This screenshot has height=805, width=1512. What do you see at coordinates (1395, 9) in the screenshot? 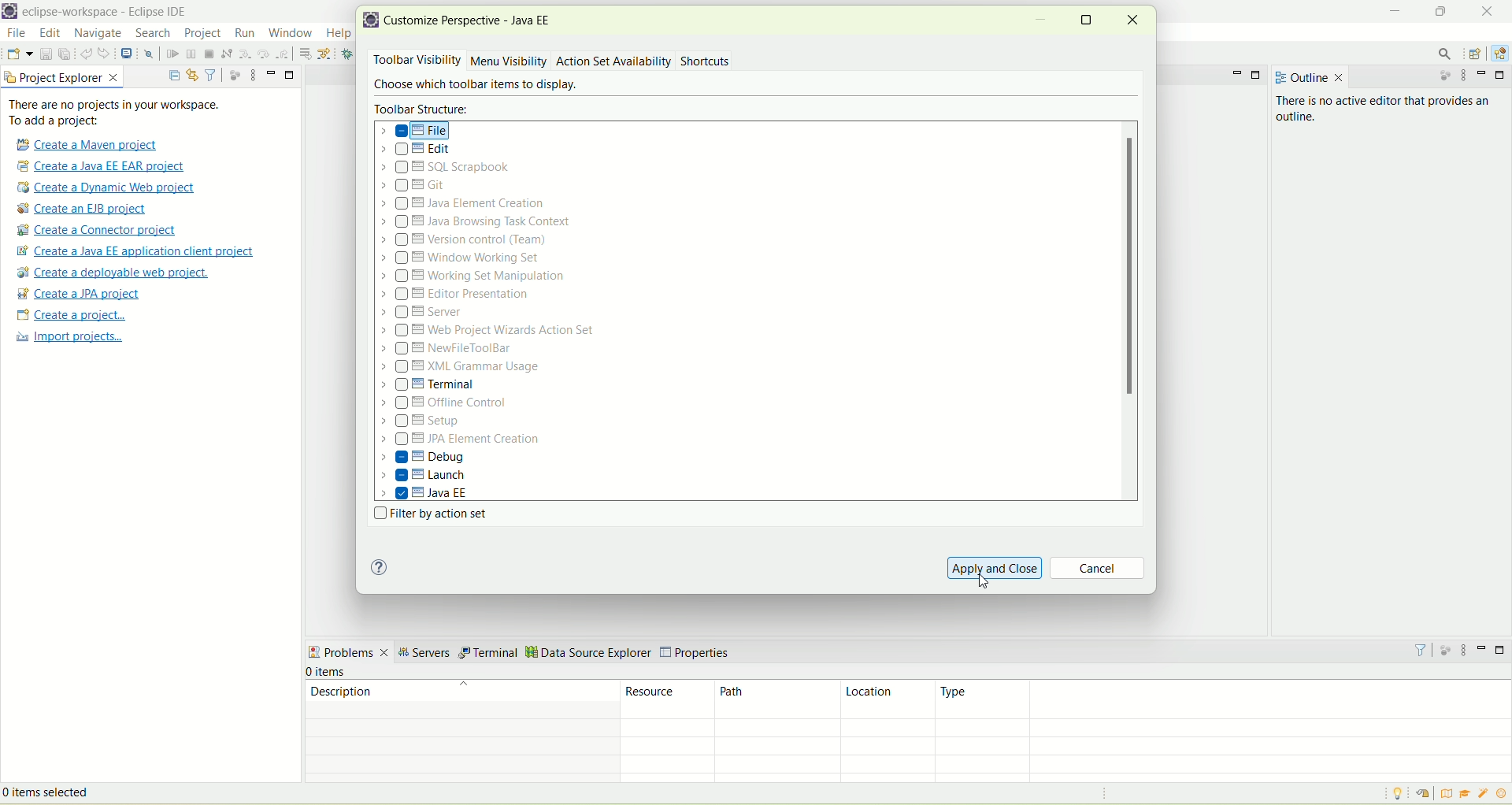
I see `minimize` at bounding box center [1395, 9].